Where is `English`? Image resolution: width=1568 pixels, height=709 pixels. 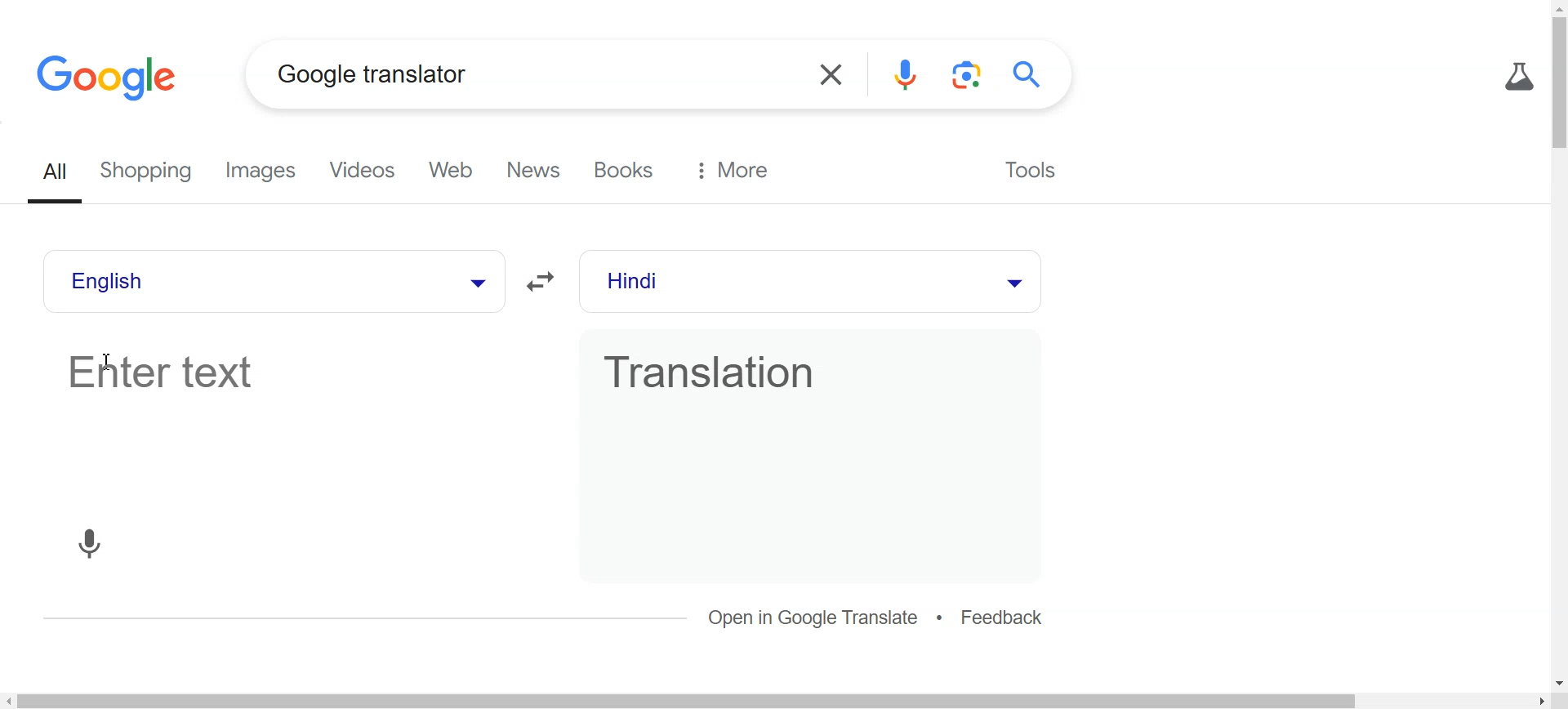
English is located at coordinates (234, 281).